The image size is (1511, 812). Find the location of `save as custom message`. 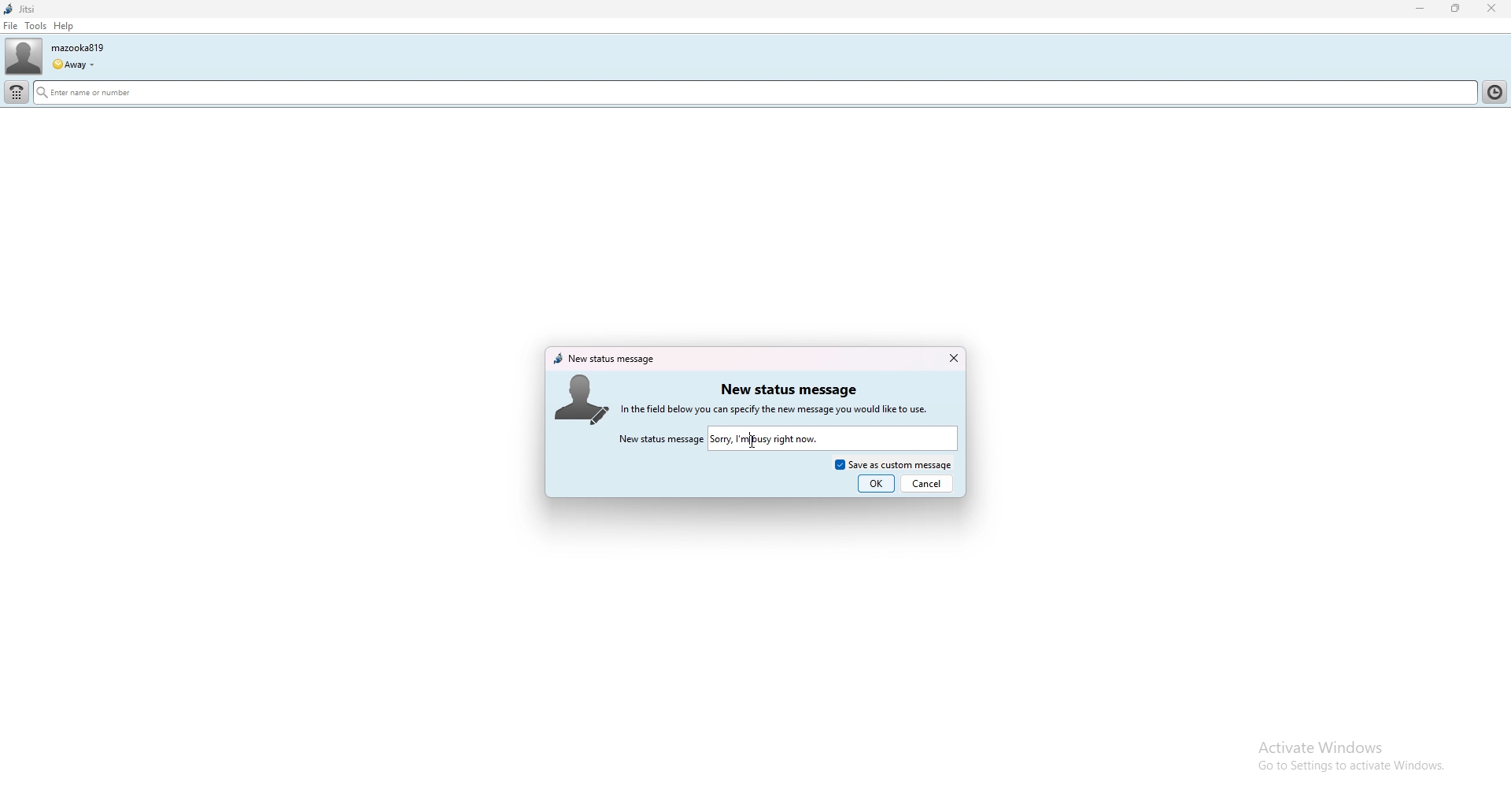

save as custom message is located at coordinates (893, 463).